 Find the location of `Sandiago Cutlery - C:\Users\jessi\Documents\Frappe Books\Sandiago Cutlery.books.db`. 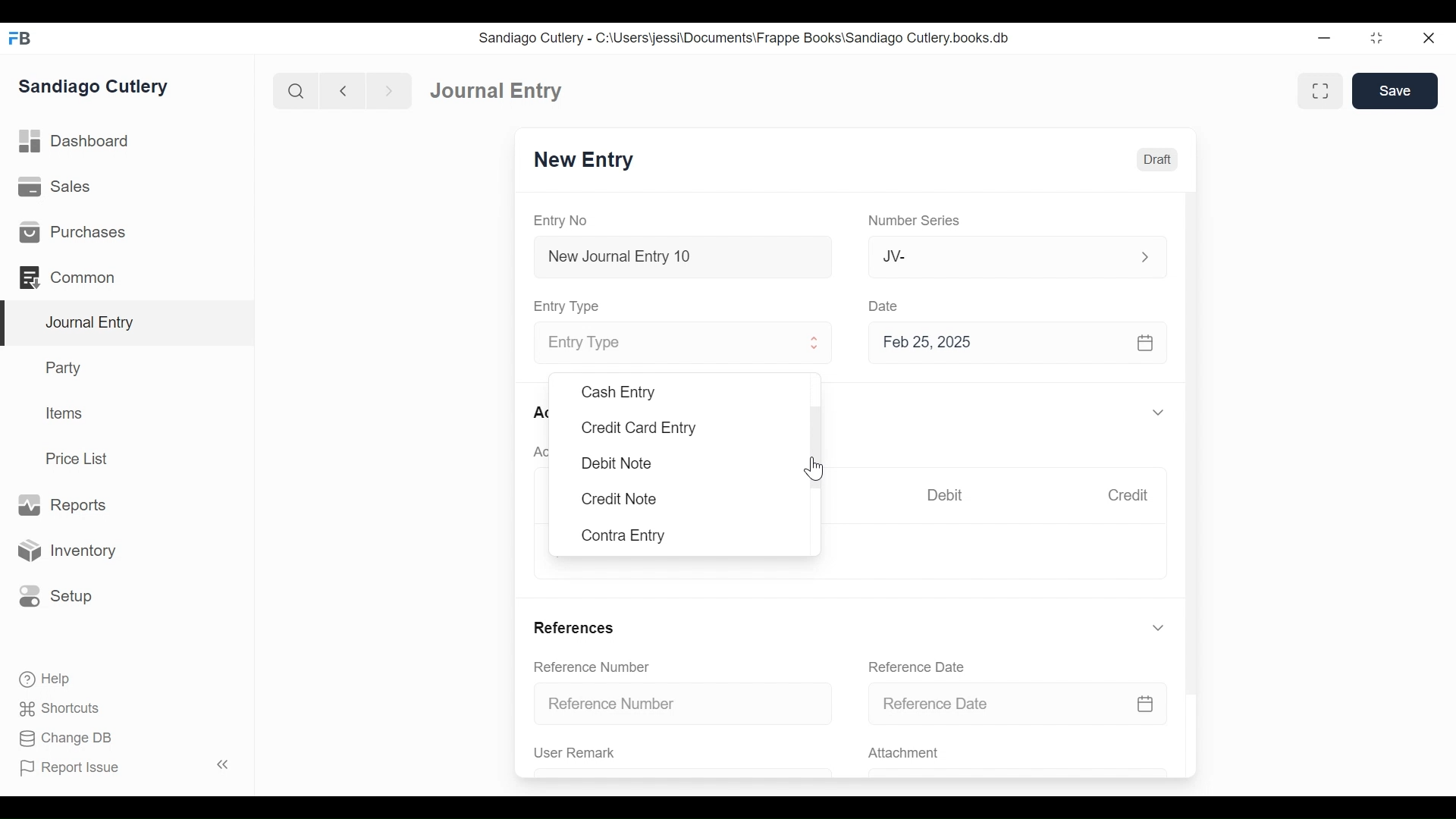

Sandiago Cutlery - C:\Users\jessi\Documents\Frappe Books\Sandiago Cutlery.books.db is located at coordinates (747, 39).